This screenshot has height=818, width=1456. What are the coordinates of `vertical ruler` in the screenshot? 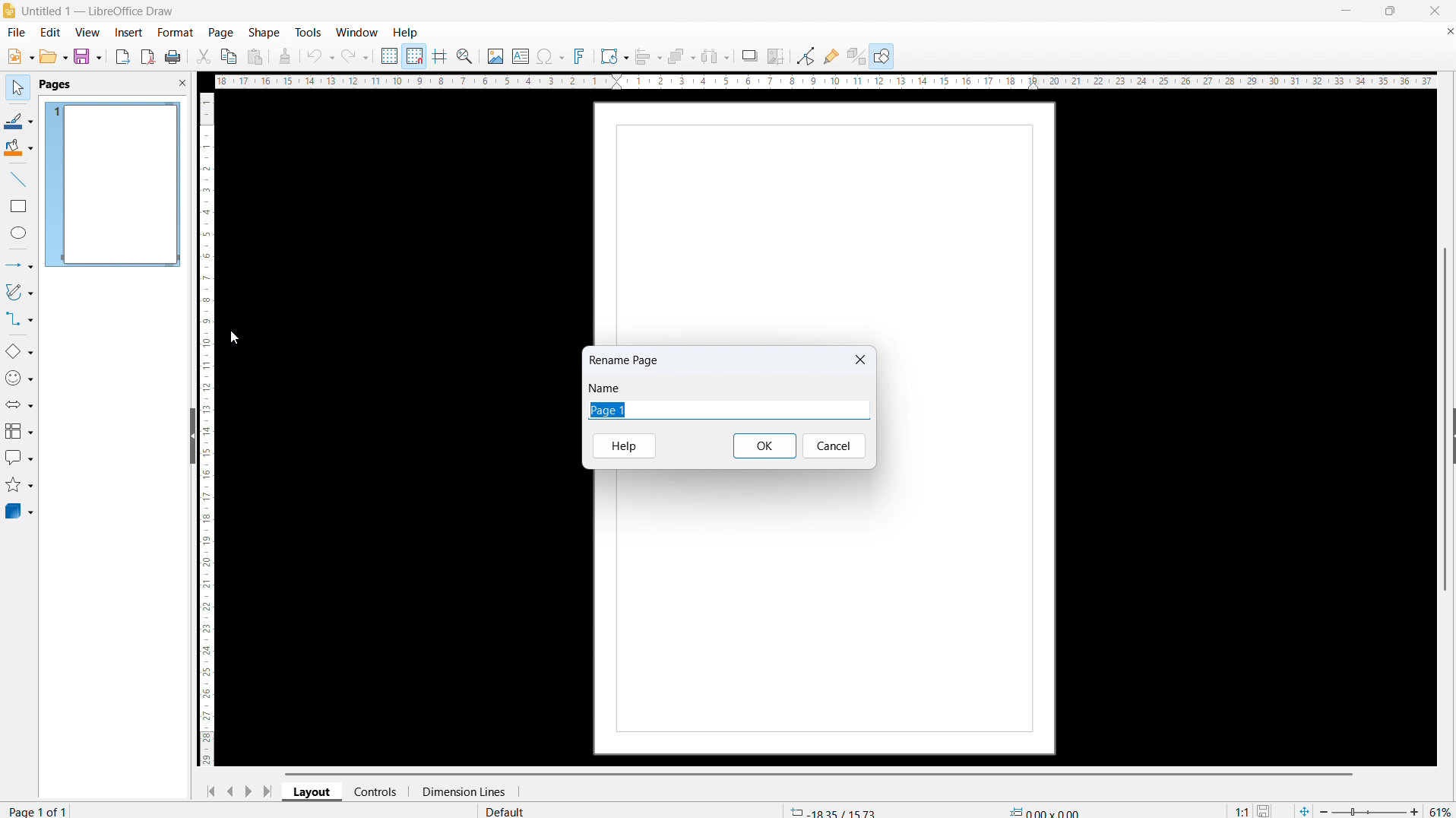 It's located at (209, 430).